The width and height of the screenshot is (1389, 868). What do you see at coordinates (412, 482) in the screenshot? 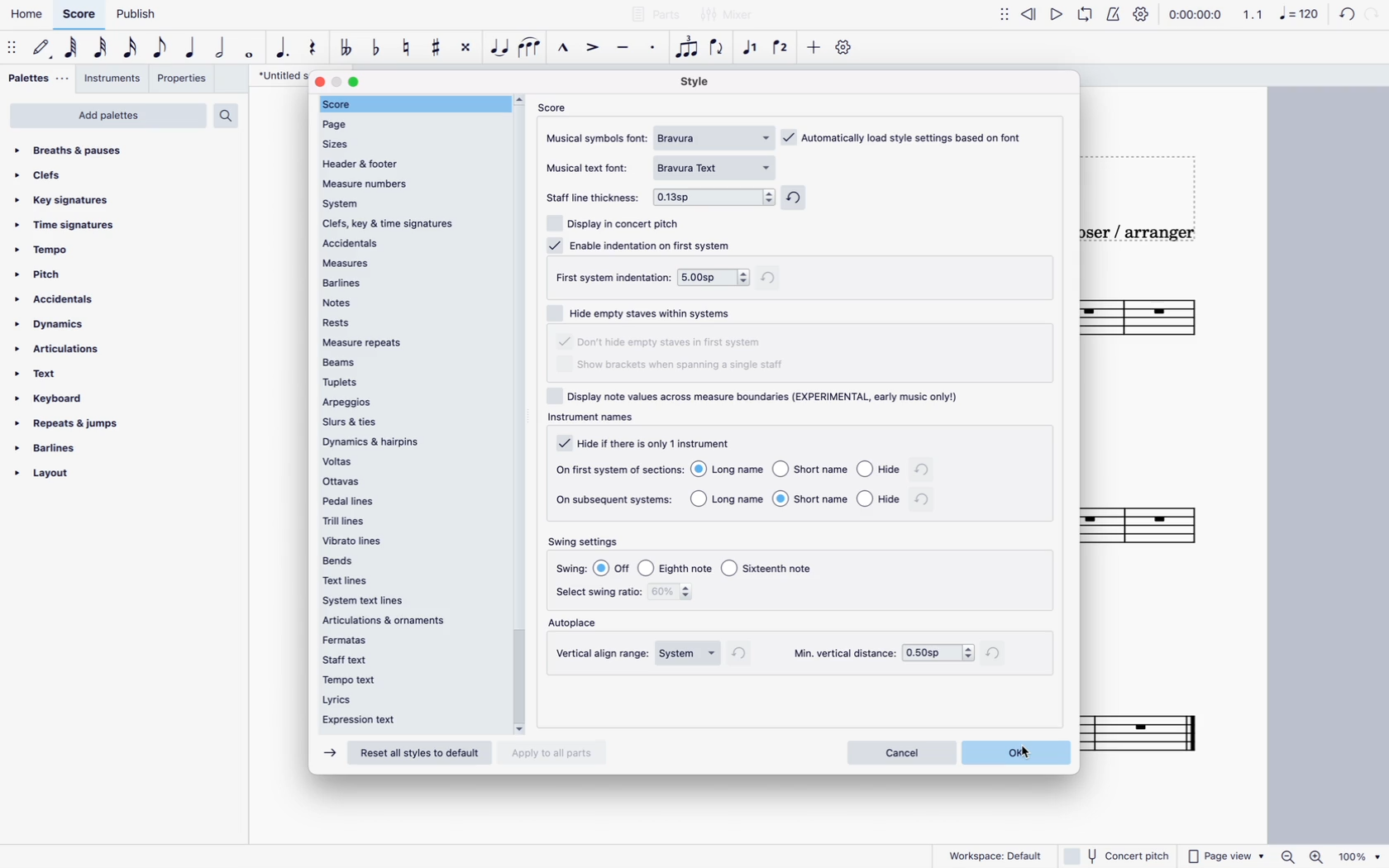
I see `ottavas` at bounding box center [412, 482].